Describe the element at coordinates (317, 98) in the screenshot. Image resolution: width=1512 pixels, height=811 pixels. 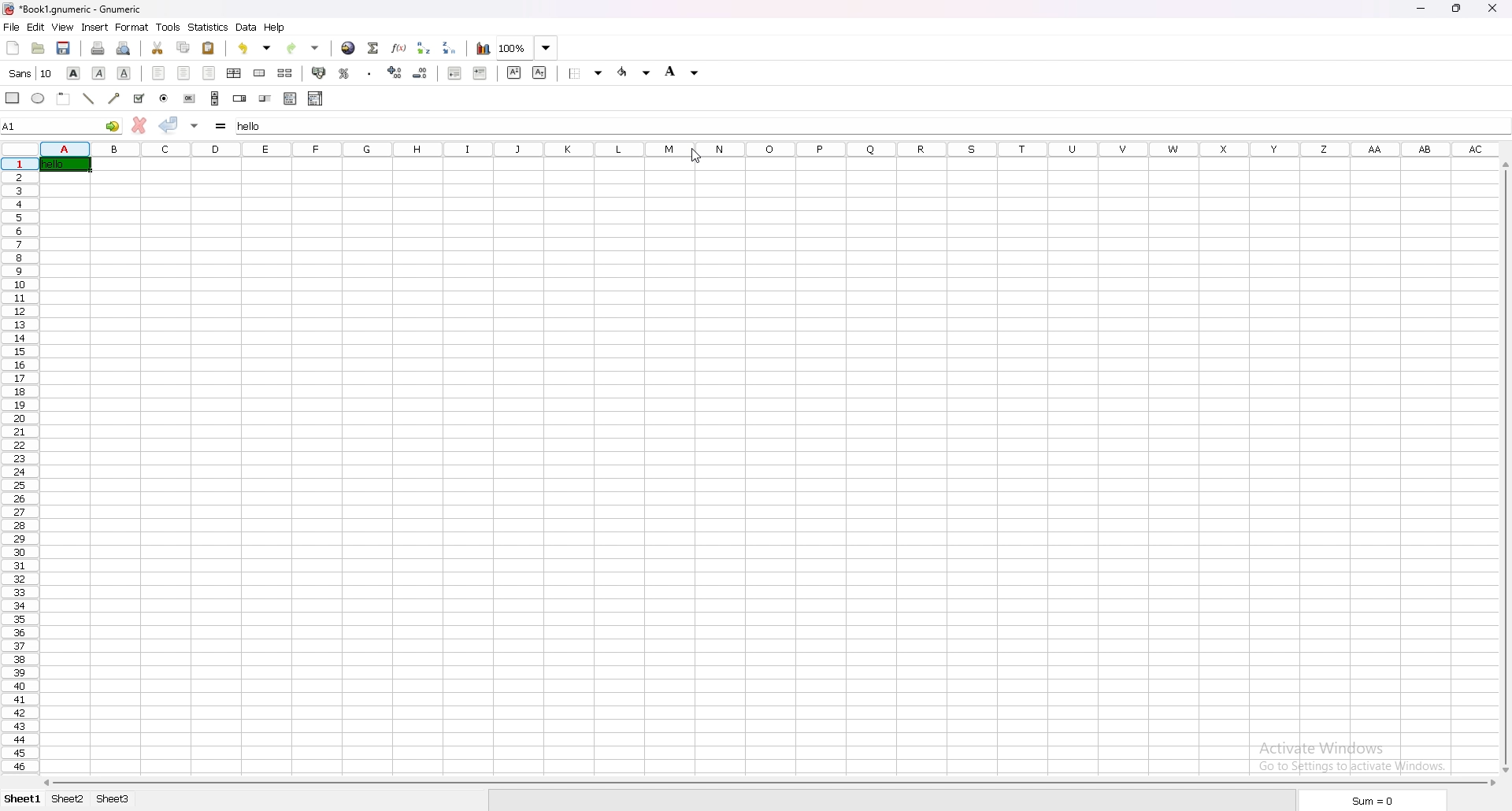
I see `combo box` at that location.